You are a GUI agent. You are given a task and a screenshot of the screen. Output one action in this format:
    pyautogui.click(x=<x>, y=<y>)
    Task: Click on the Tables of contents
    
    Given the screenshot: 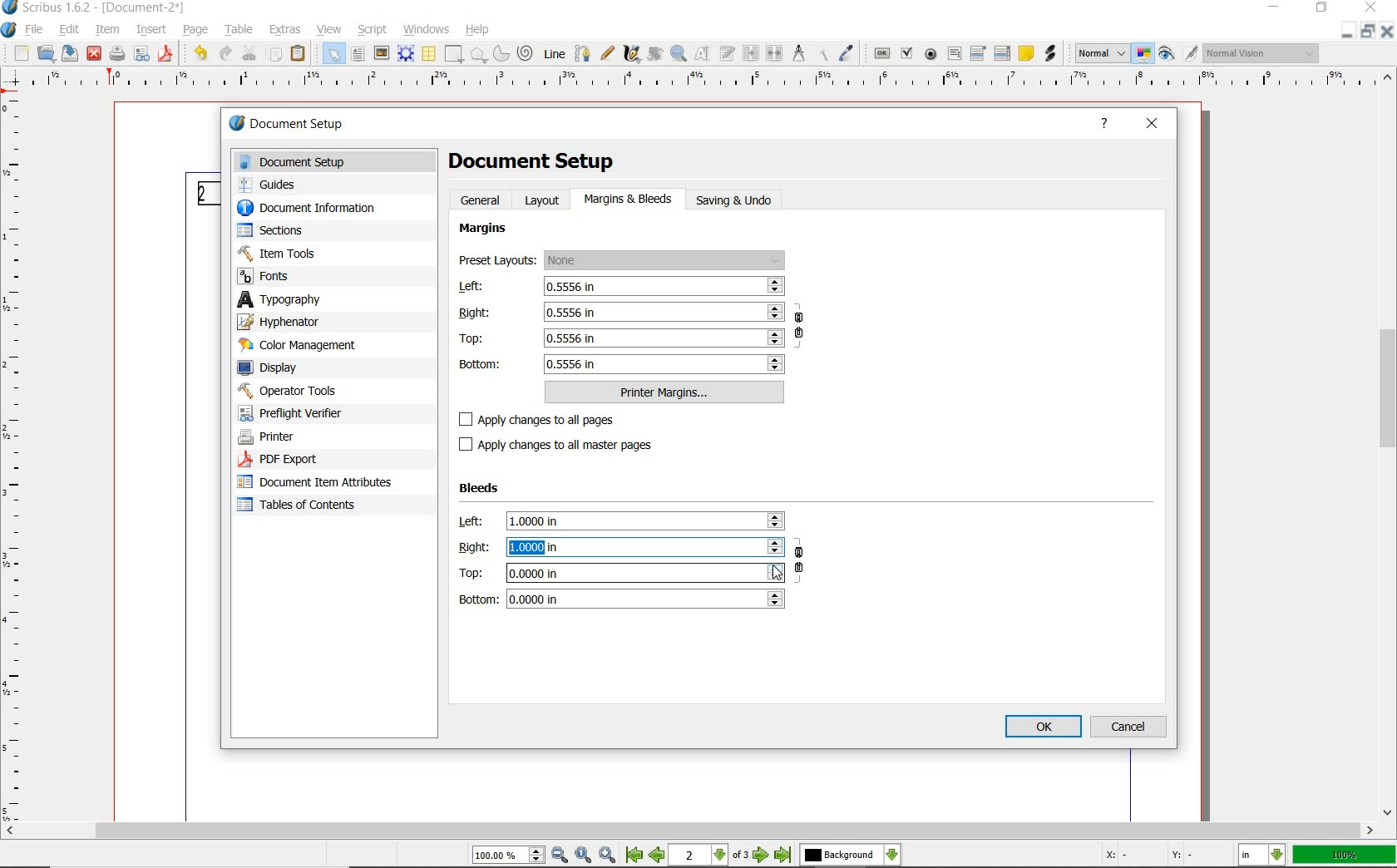 What is the action you would take?
    pyautogui.click(x=308, y=506)
    